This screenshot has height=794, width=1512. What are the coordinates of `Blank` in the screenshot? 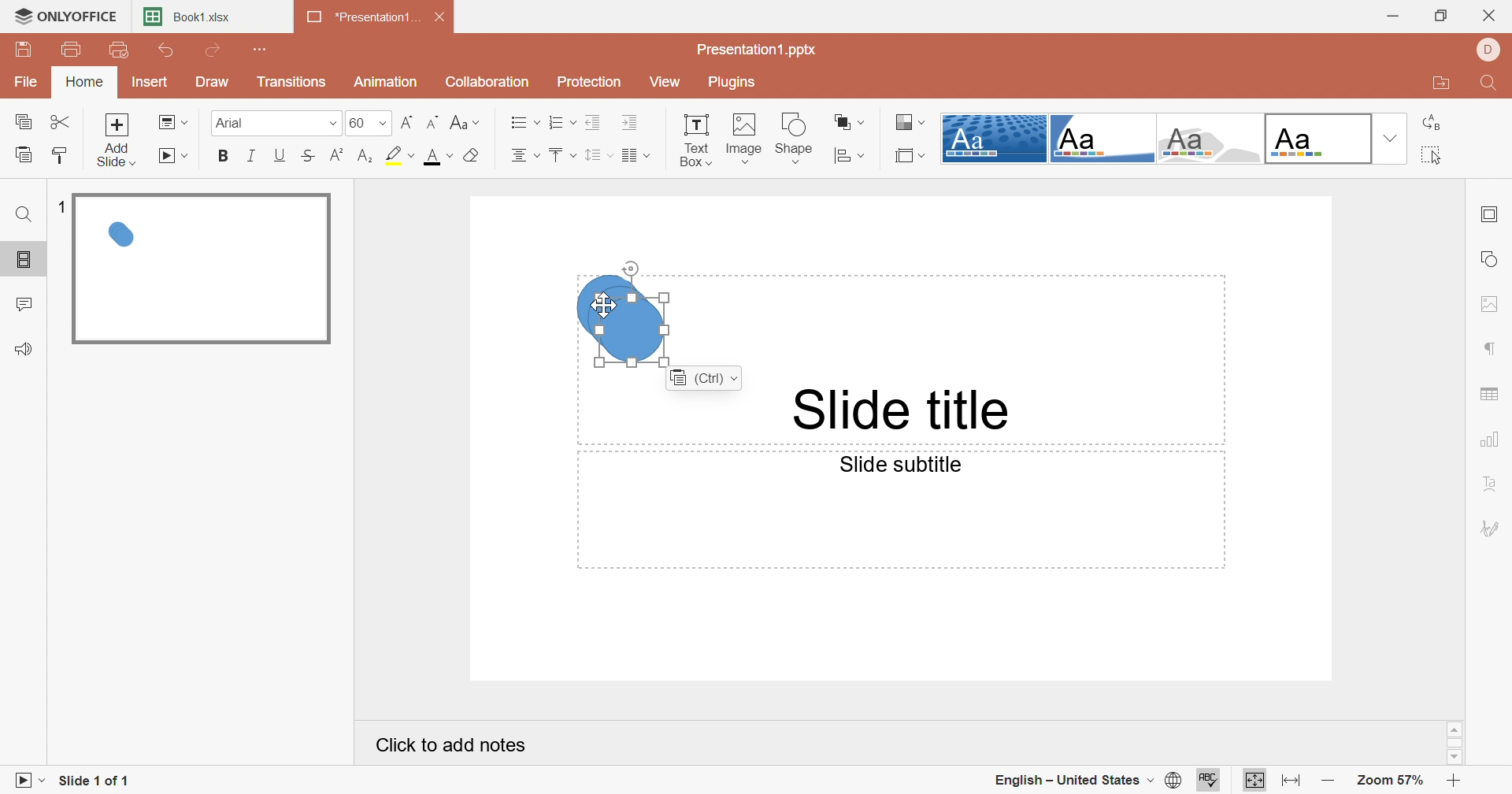 It's located at (1317, 139).